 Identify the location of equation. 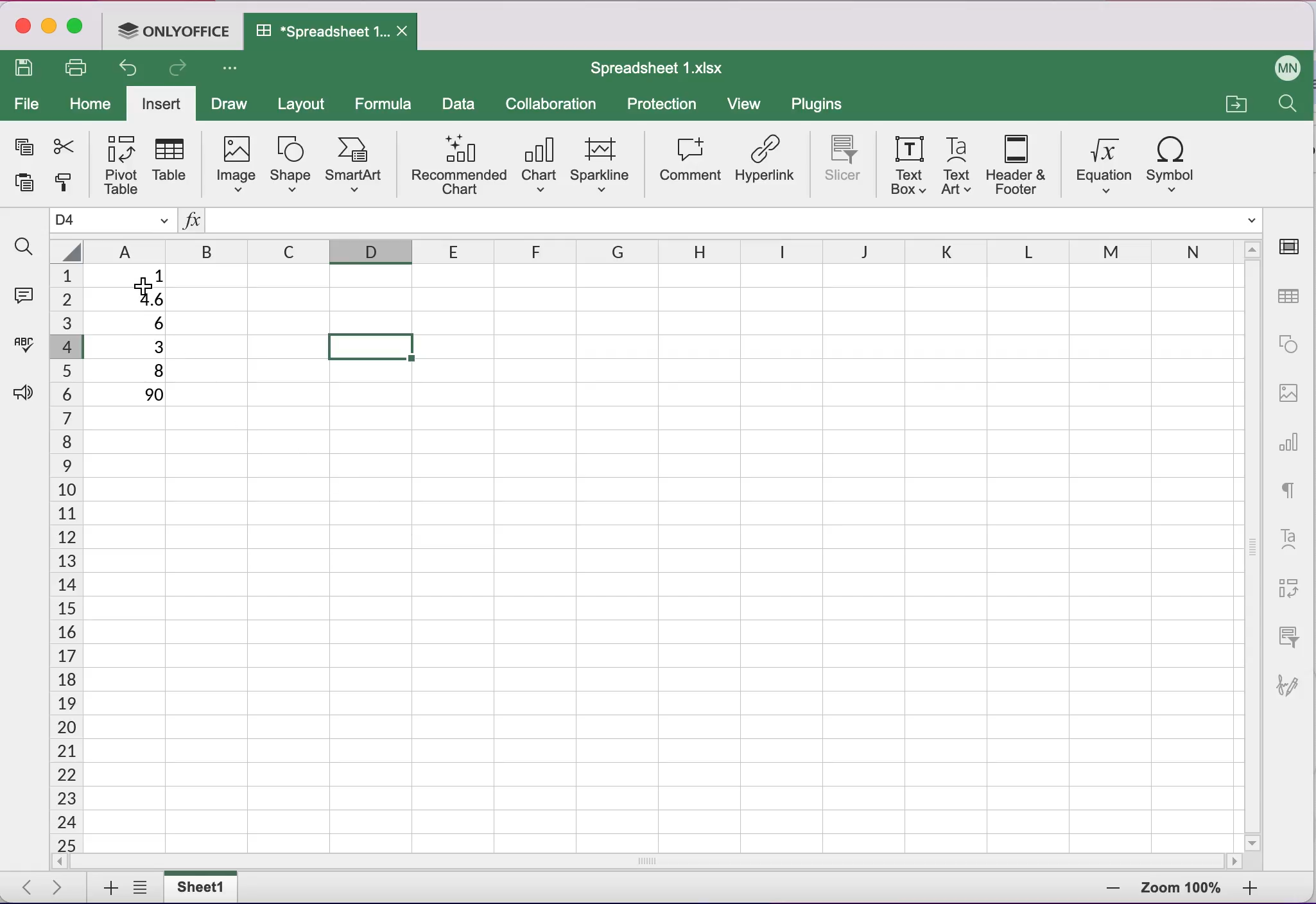
(1100, 166).